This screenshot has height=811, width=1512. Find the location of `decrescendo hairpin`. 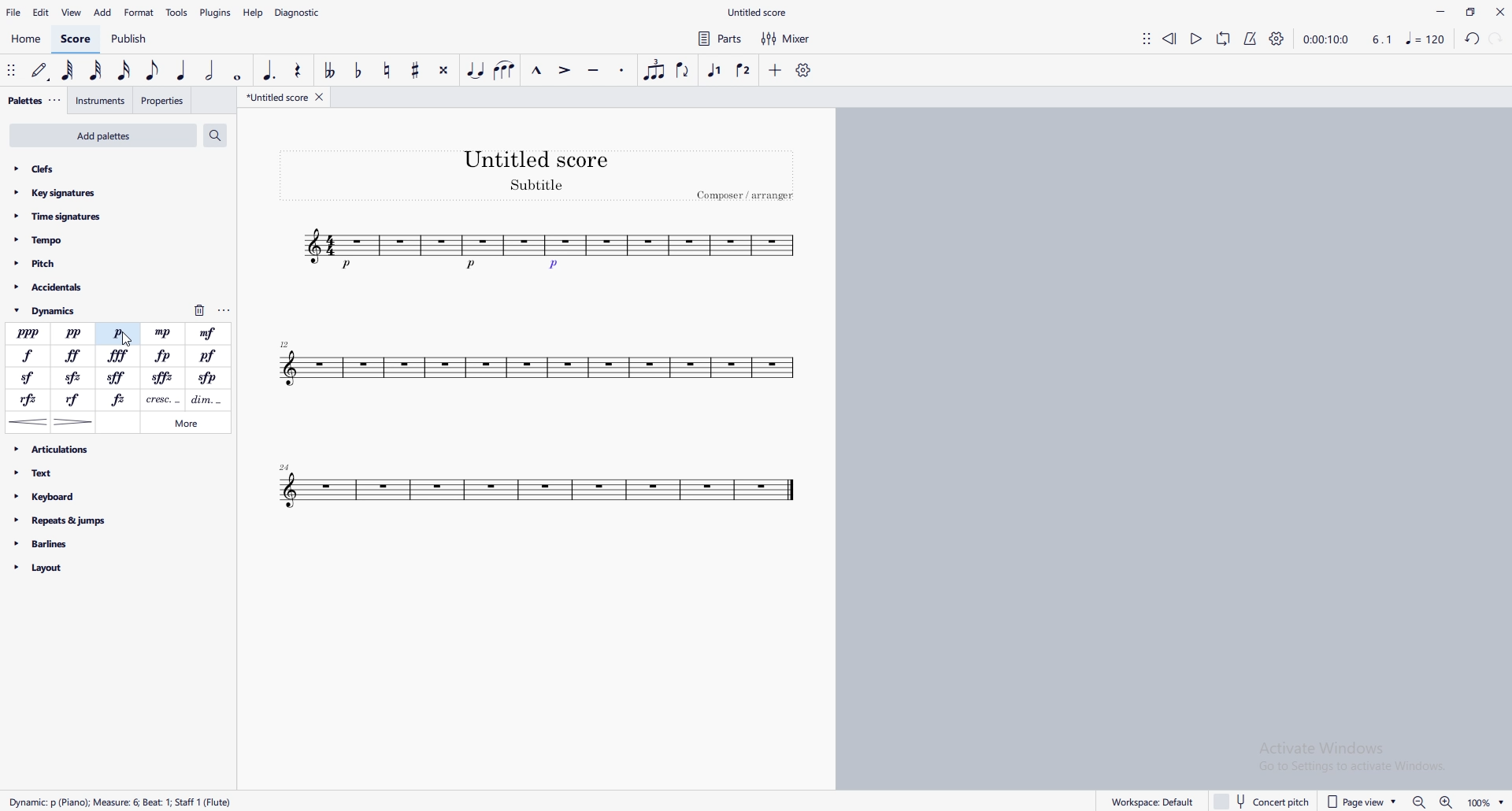

decrescendo hairpin is located at coordinates (74, 423).